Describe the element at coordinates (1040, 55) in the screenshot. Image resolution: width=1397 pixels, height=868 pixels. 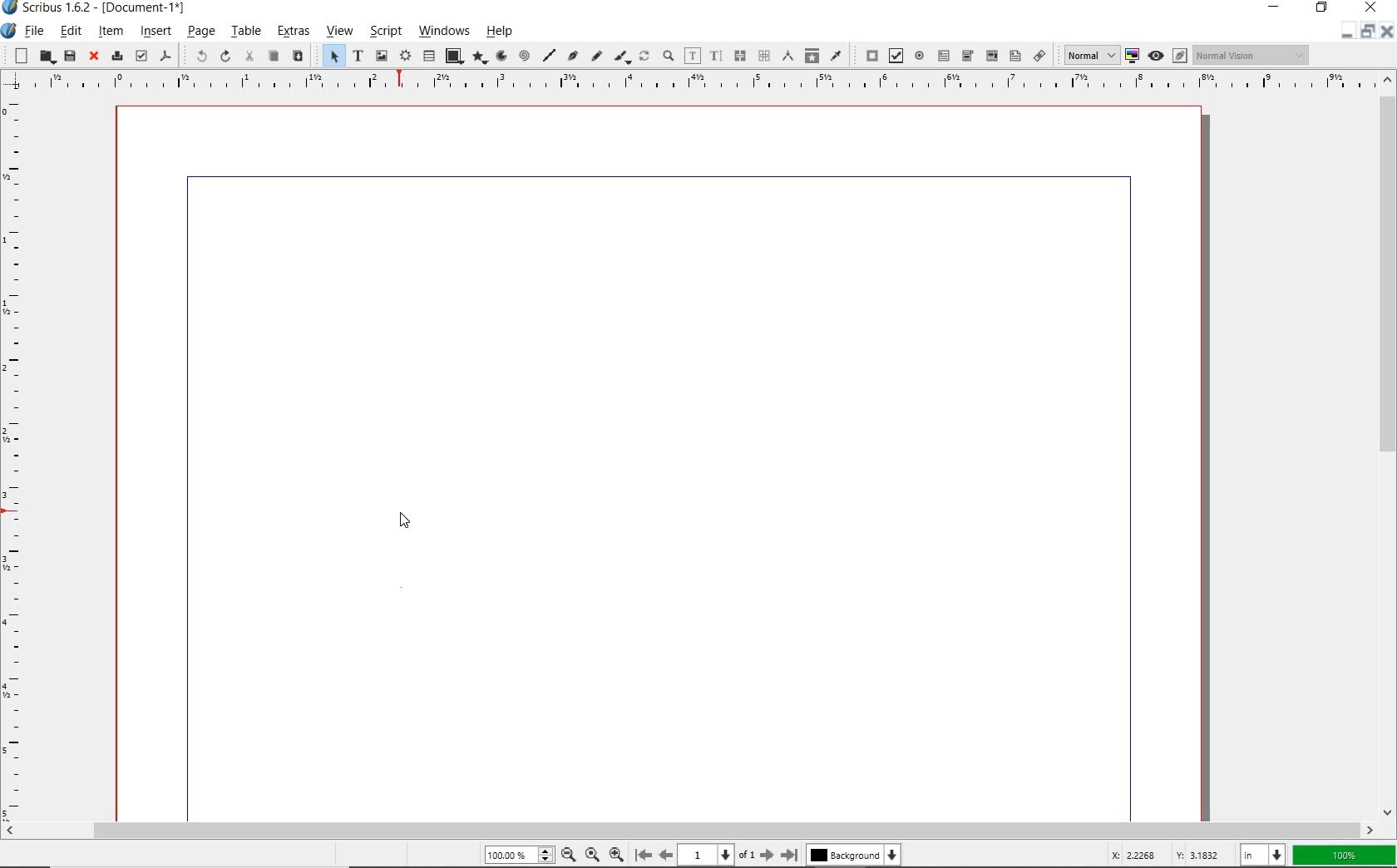
I see `link annotation` at that location.